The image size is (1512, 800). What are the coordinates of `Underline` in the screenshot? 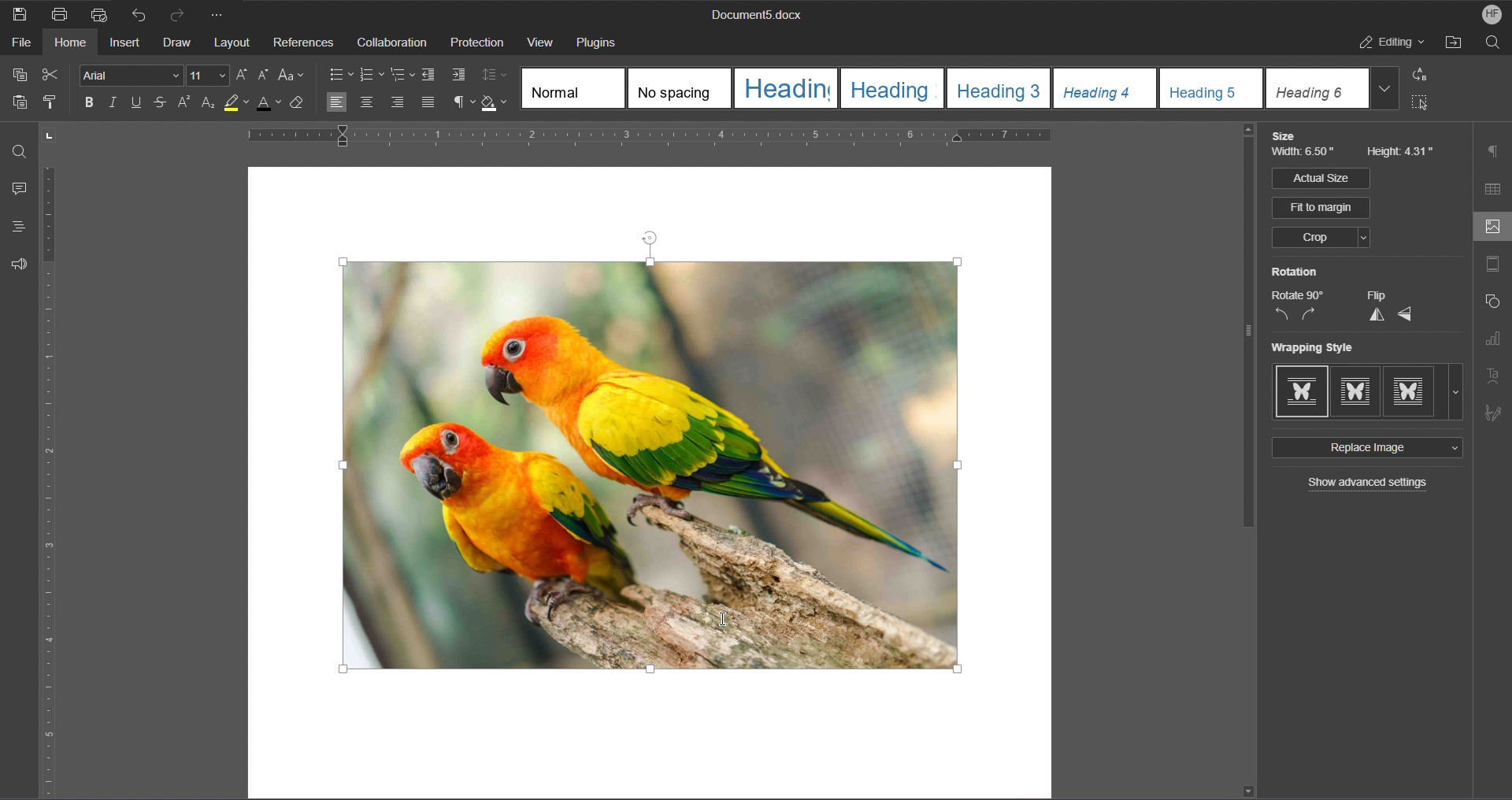 It's located at (140, 104).